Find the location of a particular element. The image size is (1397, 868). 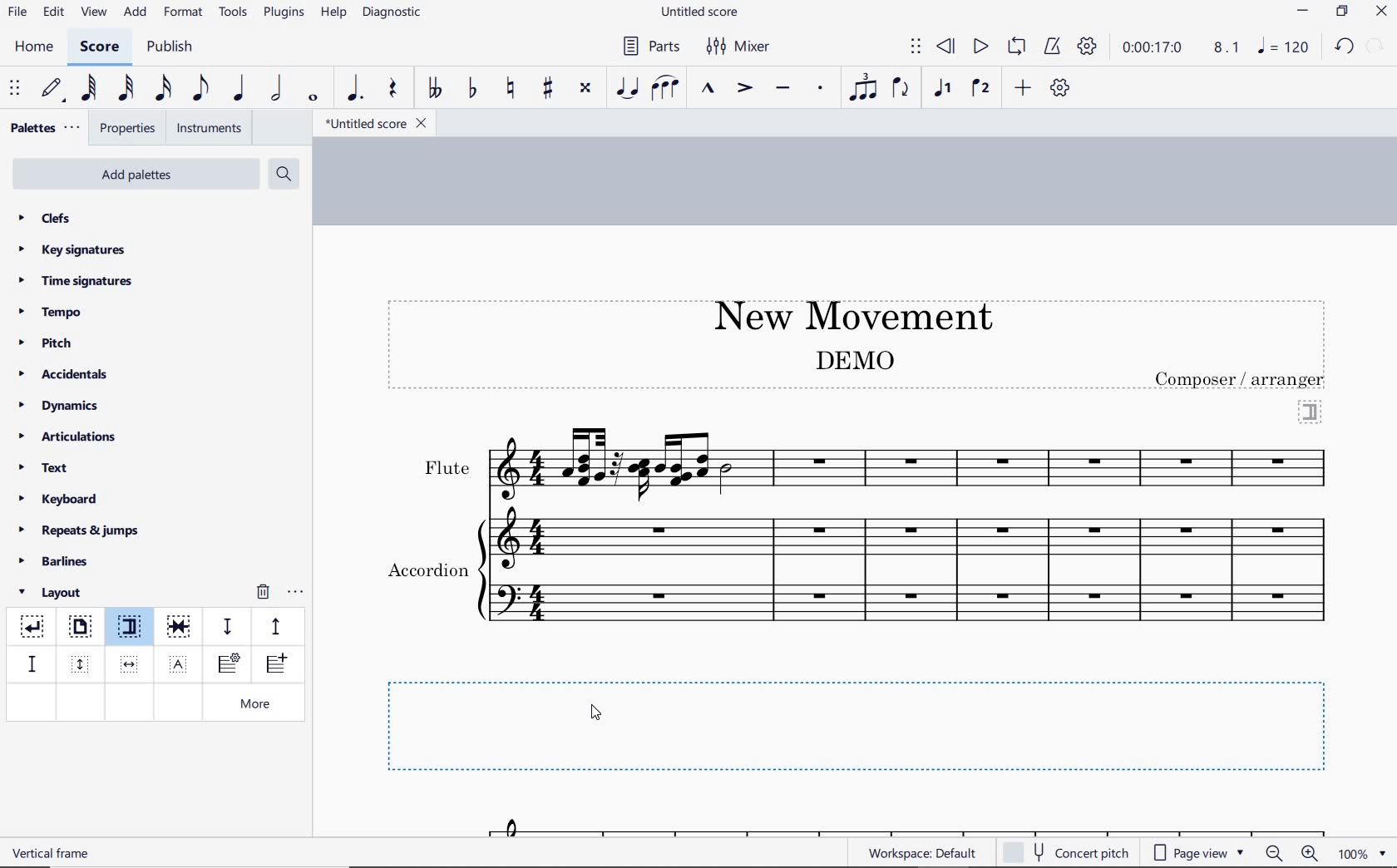

more is located at coordinates (259, 705).